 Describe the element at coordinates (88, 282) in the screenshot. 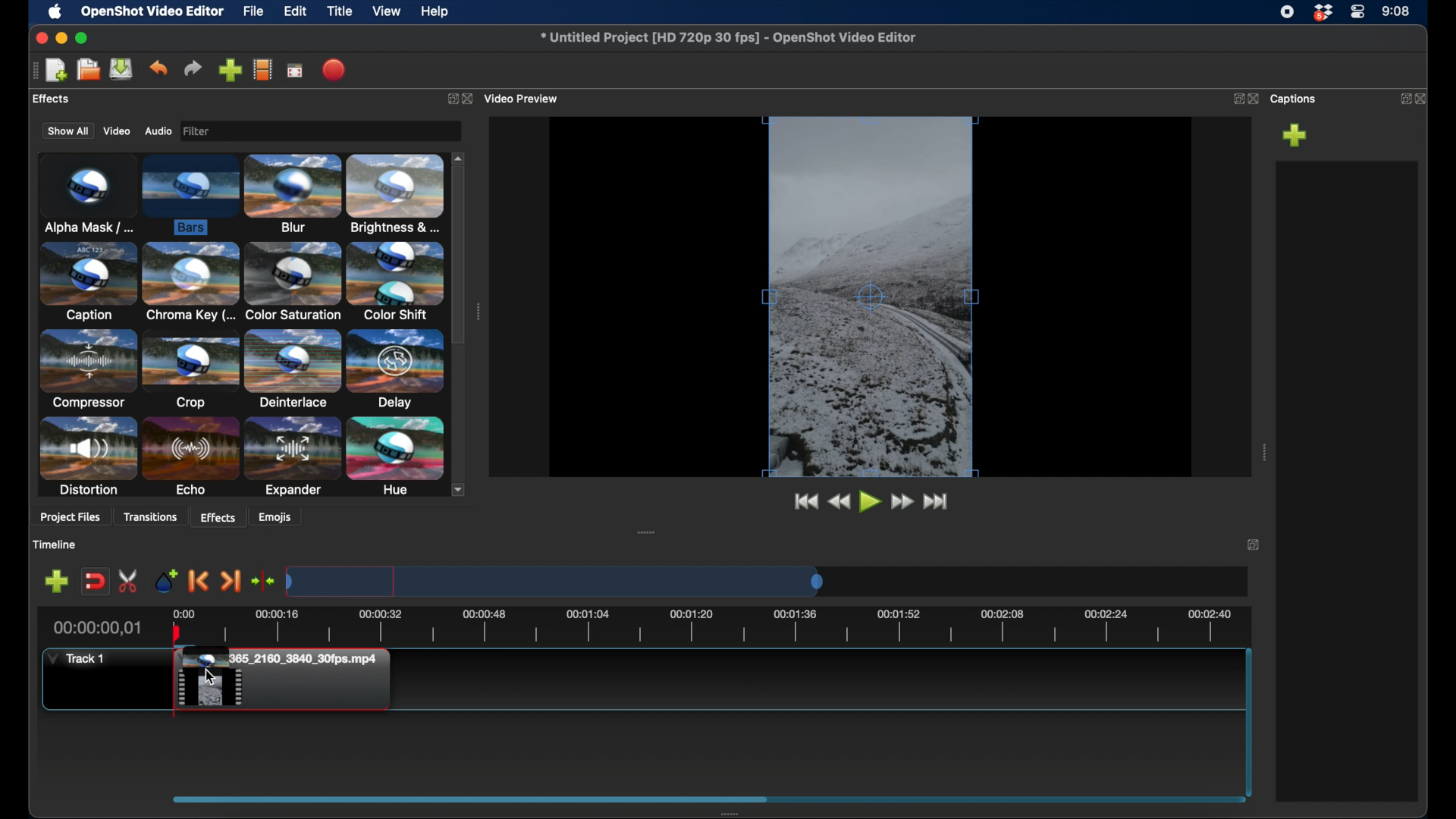

I see `caption` at that location.